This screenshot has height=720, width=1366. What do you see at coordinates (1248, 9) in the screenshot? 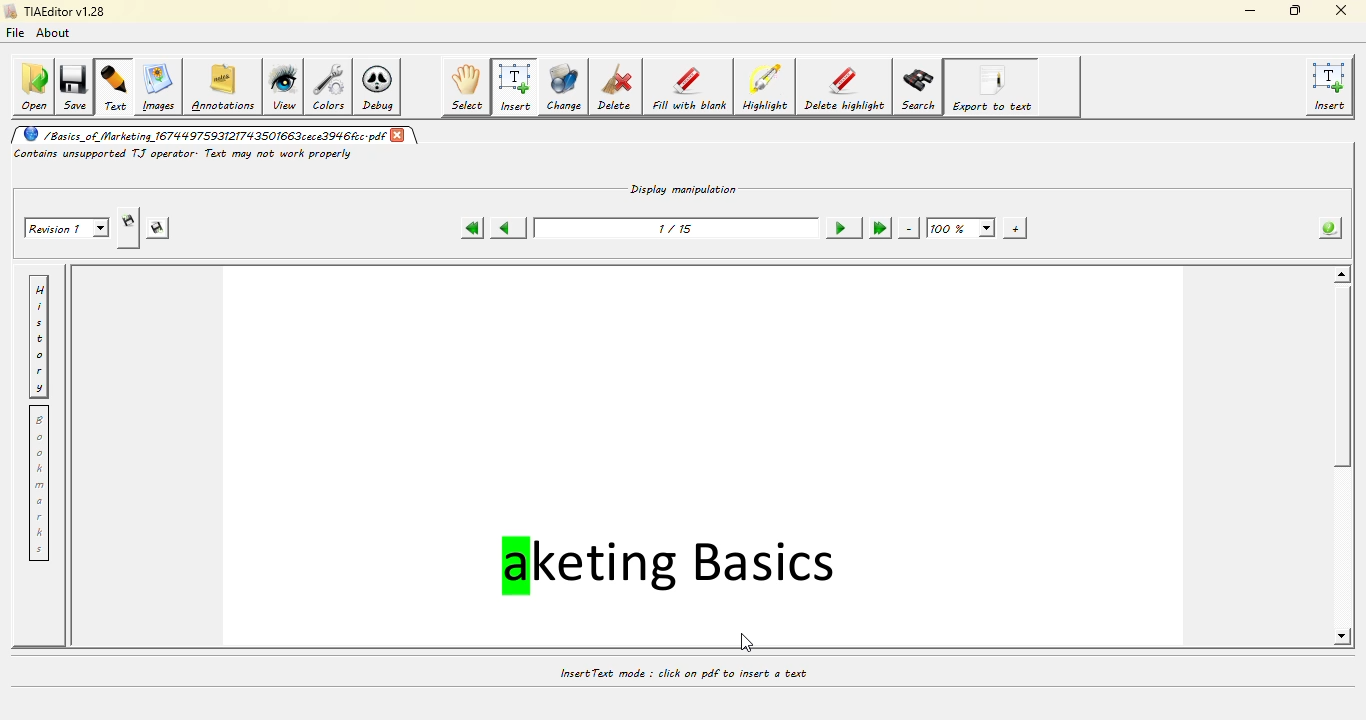
I see `minimize` at bounding box center [1248, 9].